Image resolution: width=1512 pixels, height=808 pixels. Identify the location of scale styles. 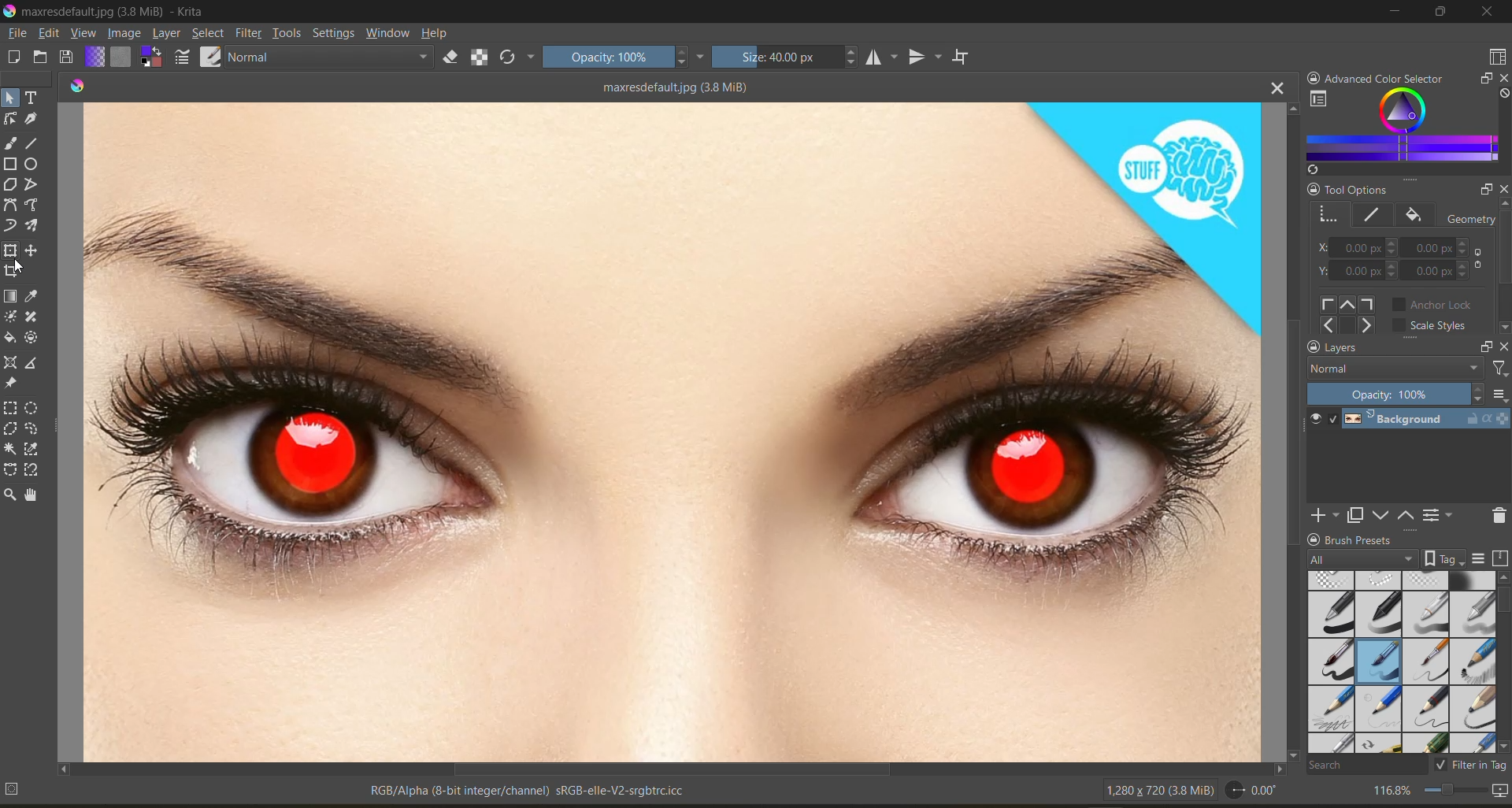
(1432, 328).